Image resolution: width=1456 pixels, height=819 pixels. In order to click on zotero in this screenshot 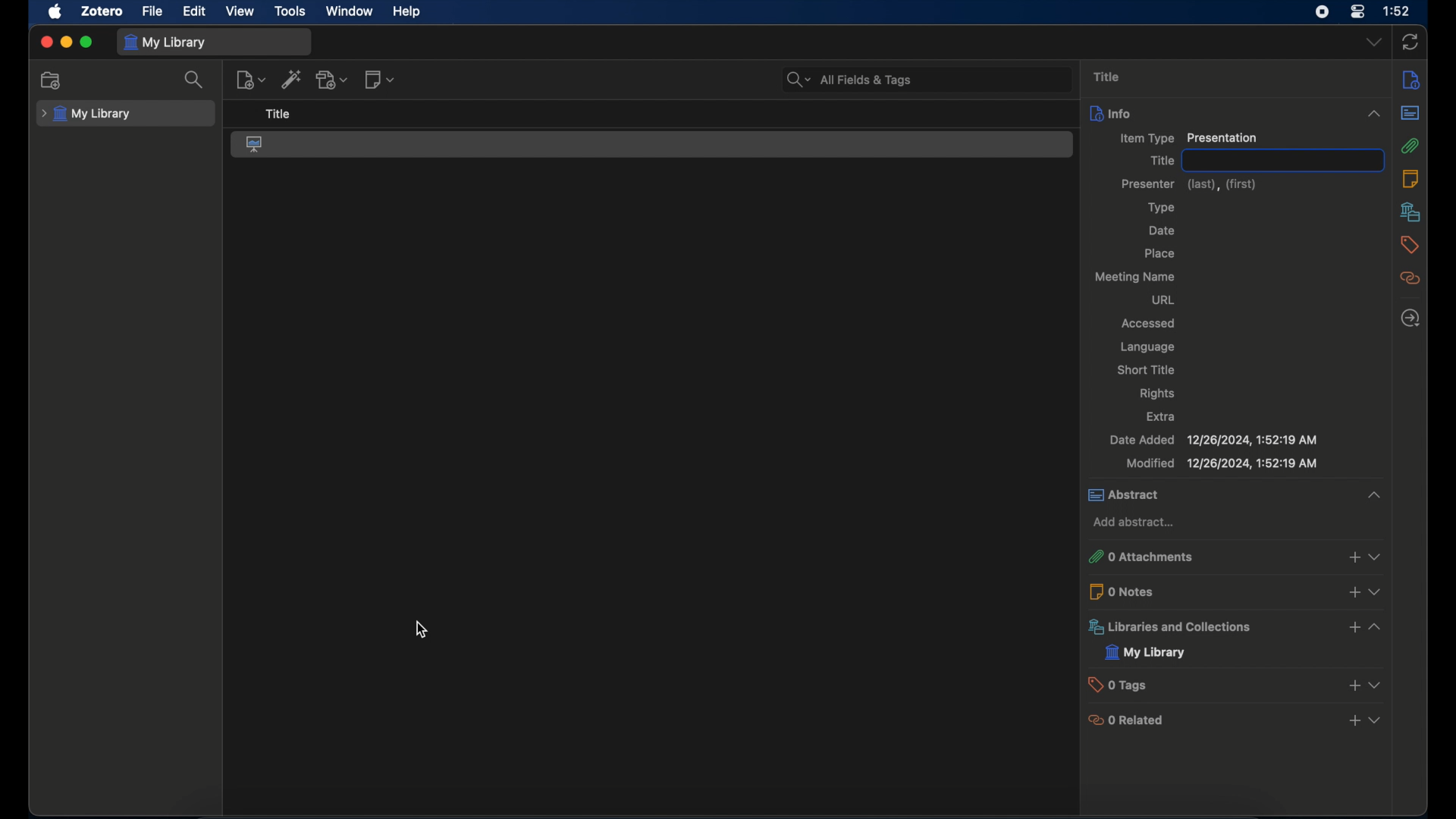, I will do `click(103, 11)`.